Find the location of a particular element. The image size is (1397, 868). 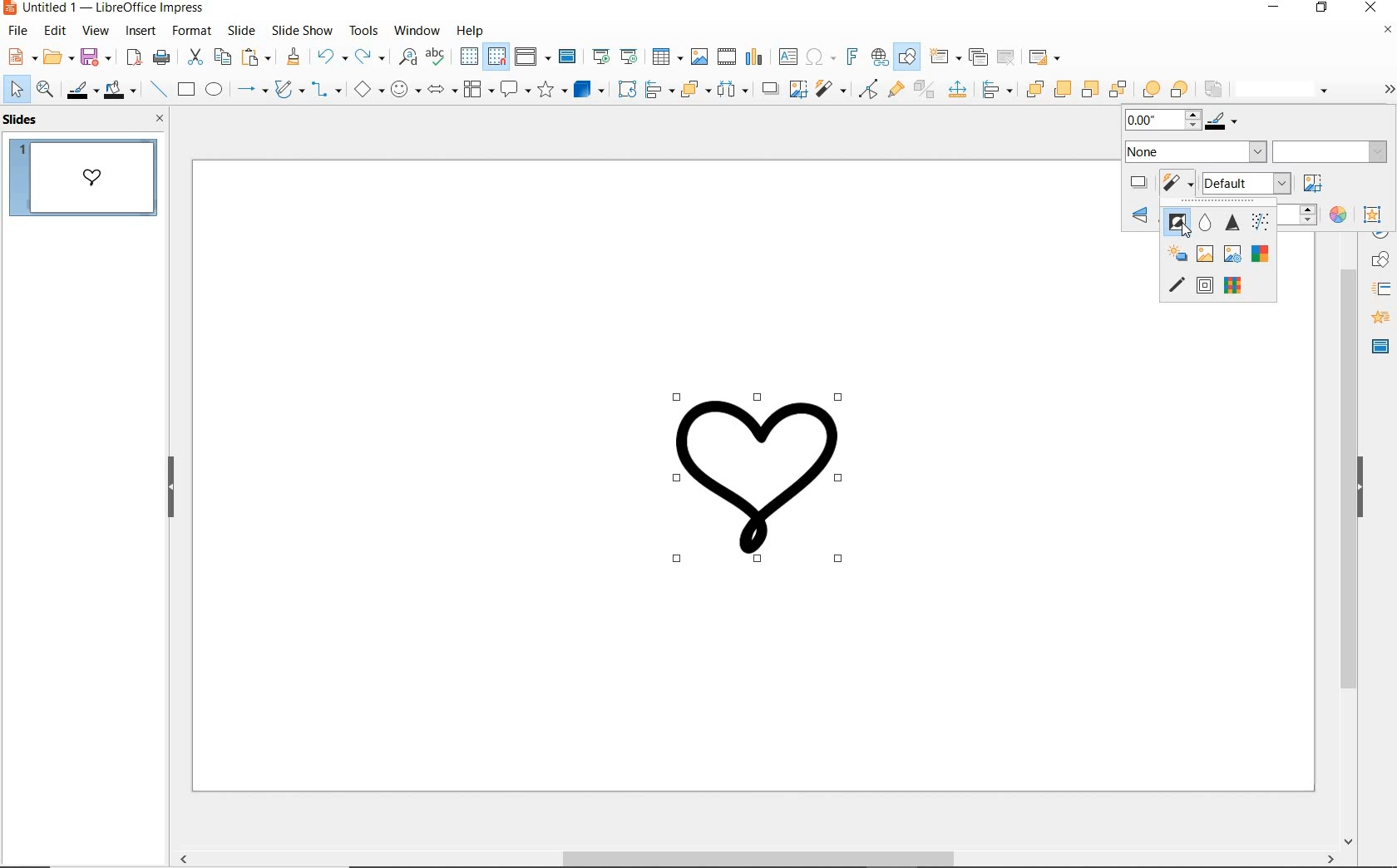

ellipse is located at coordinates (215, 90).